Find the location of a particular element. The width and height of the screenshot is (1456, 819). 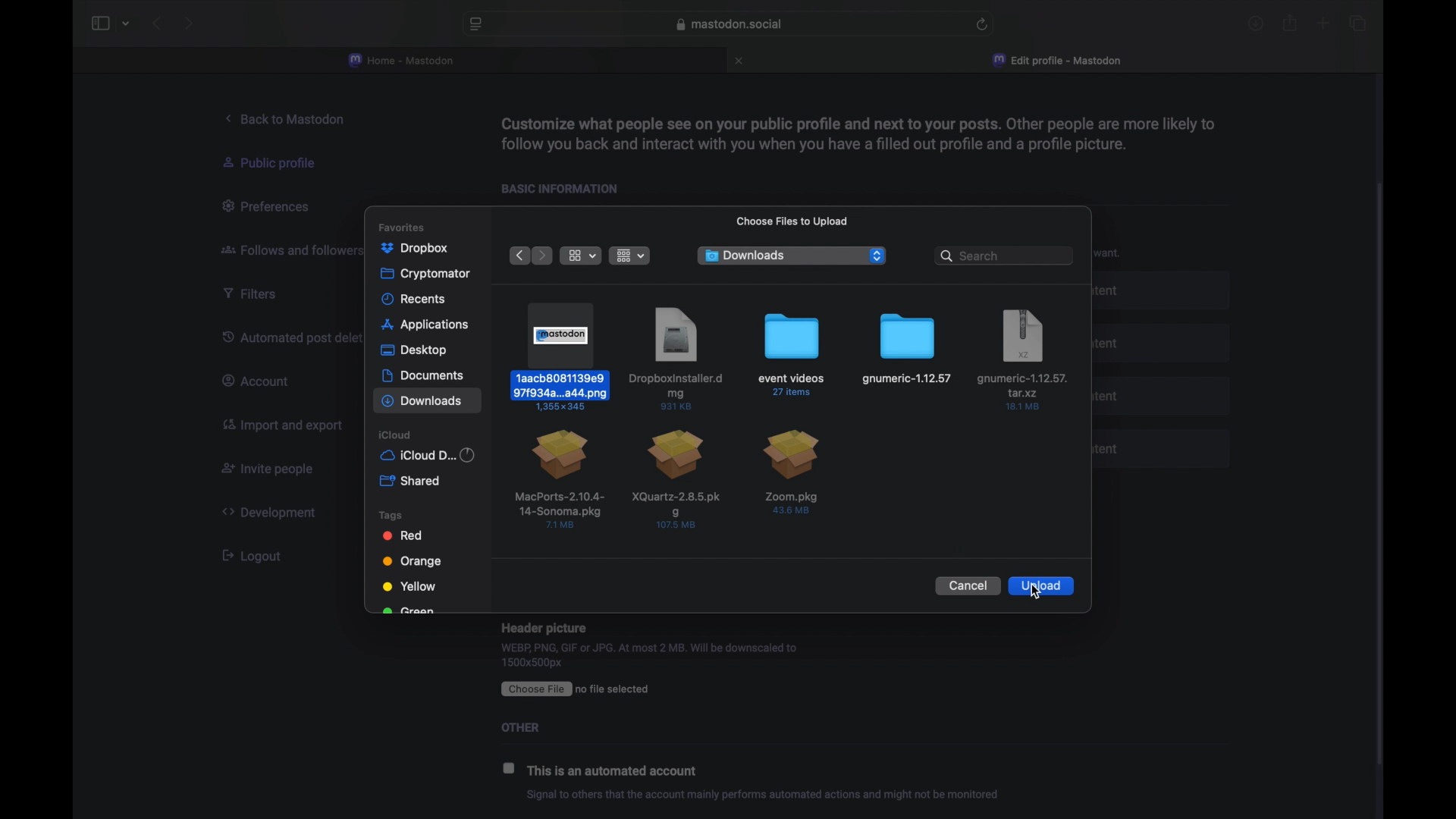

edit profile - mastodon is located at coordinates (1059, 61).